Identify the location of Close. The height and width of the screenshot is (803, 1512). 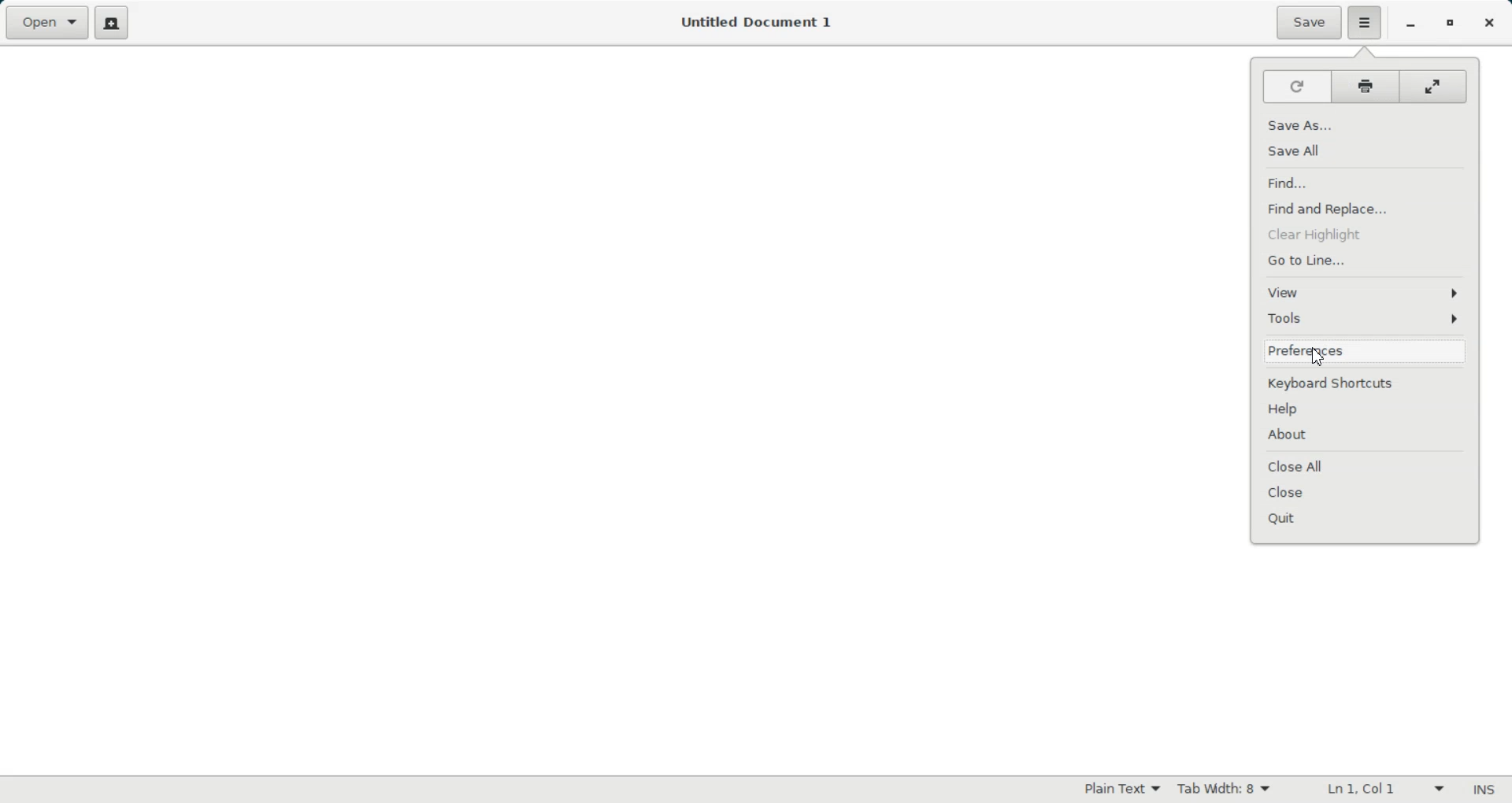
(1489, 22).